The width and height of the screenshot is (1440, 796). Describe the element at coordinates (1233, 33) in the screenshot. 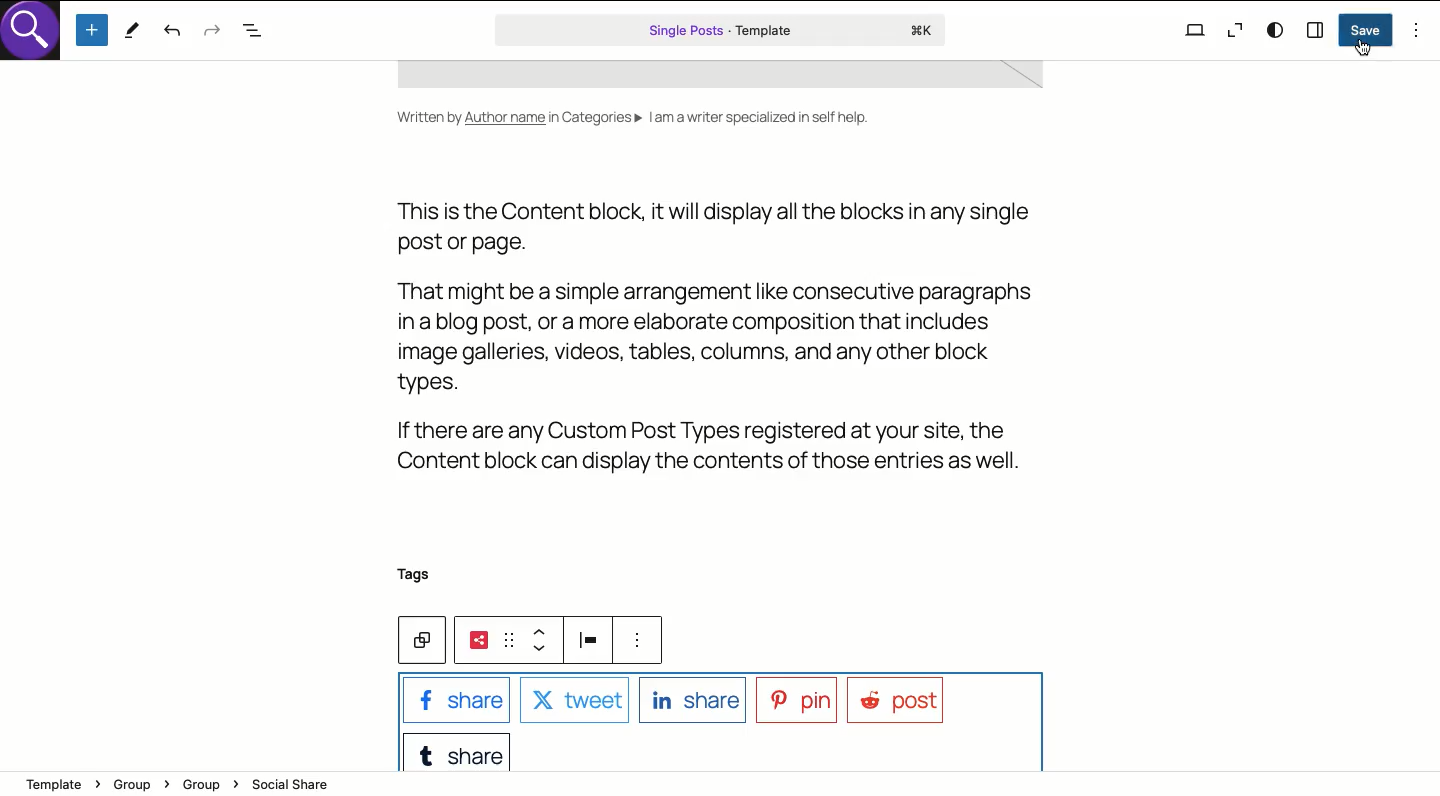

I see `Zoom out` at that location.